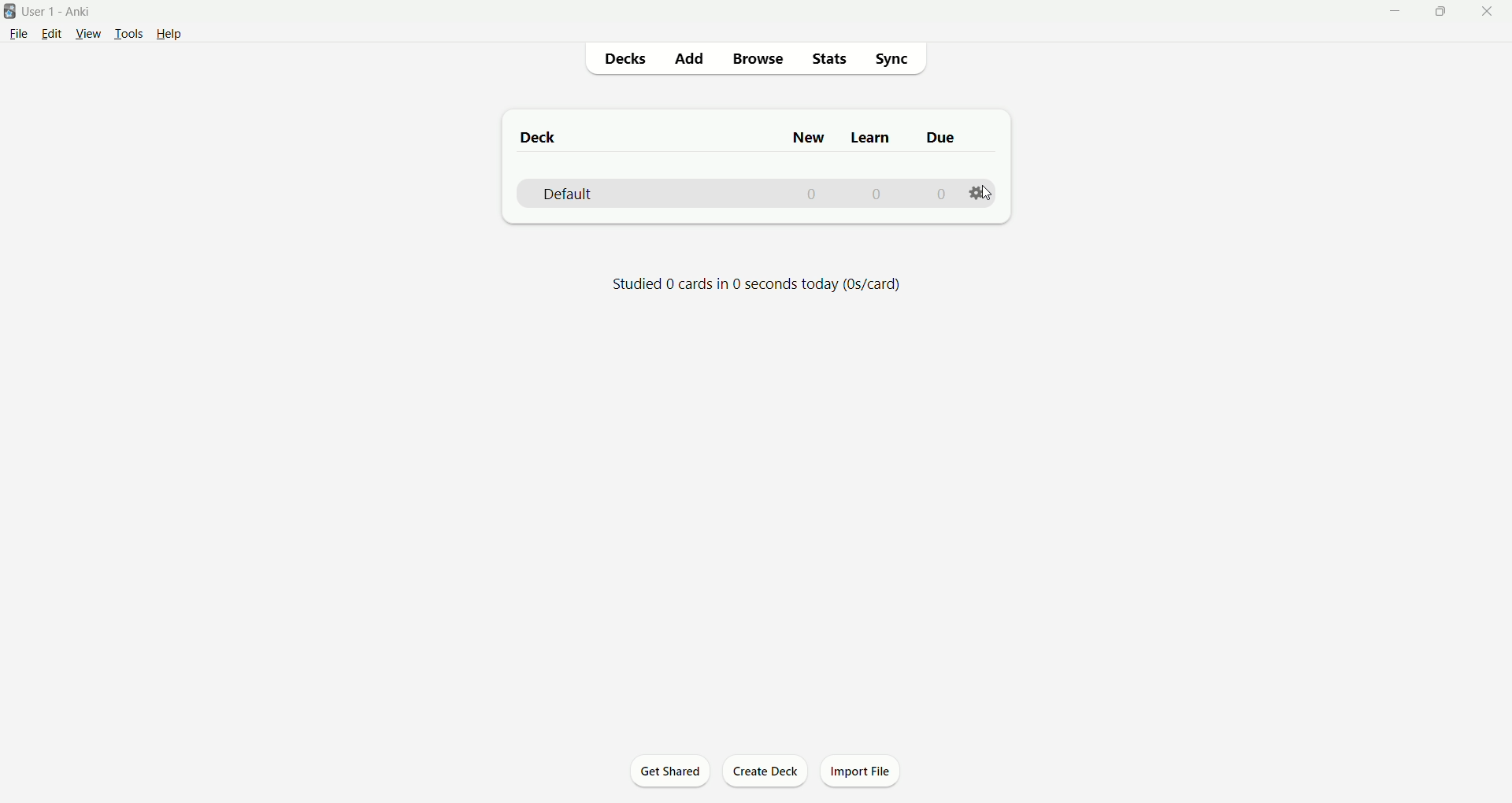 The image size is (1512, 803). Describe the element at coordinates (49, 33) in the screenshot. I see `edit` at that location.